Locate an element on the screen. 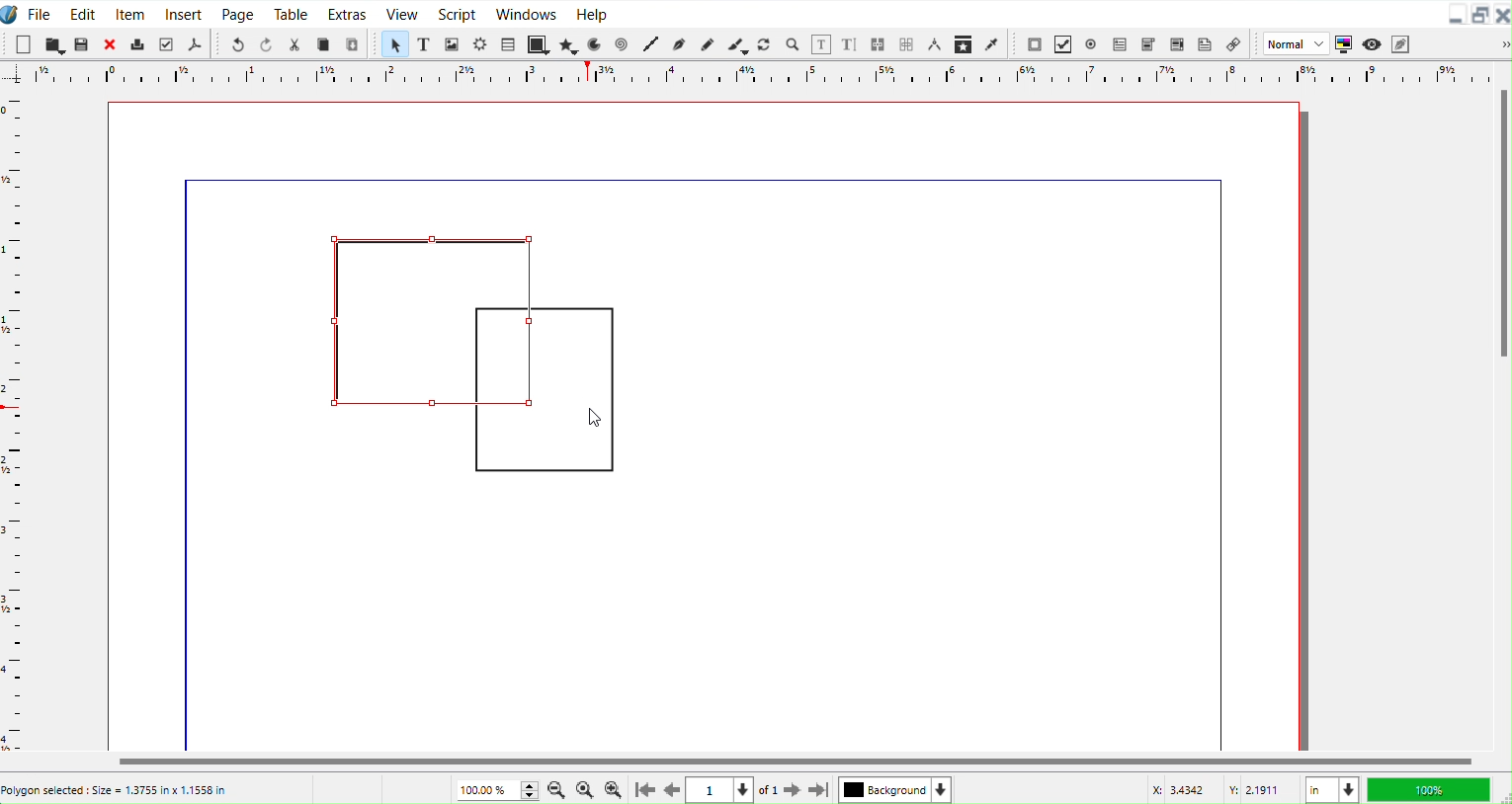 The width and height of the screenshot is (1512, 804). Polygons is located at coordinates (472, 360).